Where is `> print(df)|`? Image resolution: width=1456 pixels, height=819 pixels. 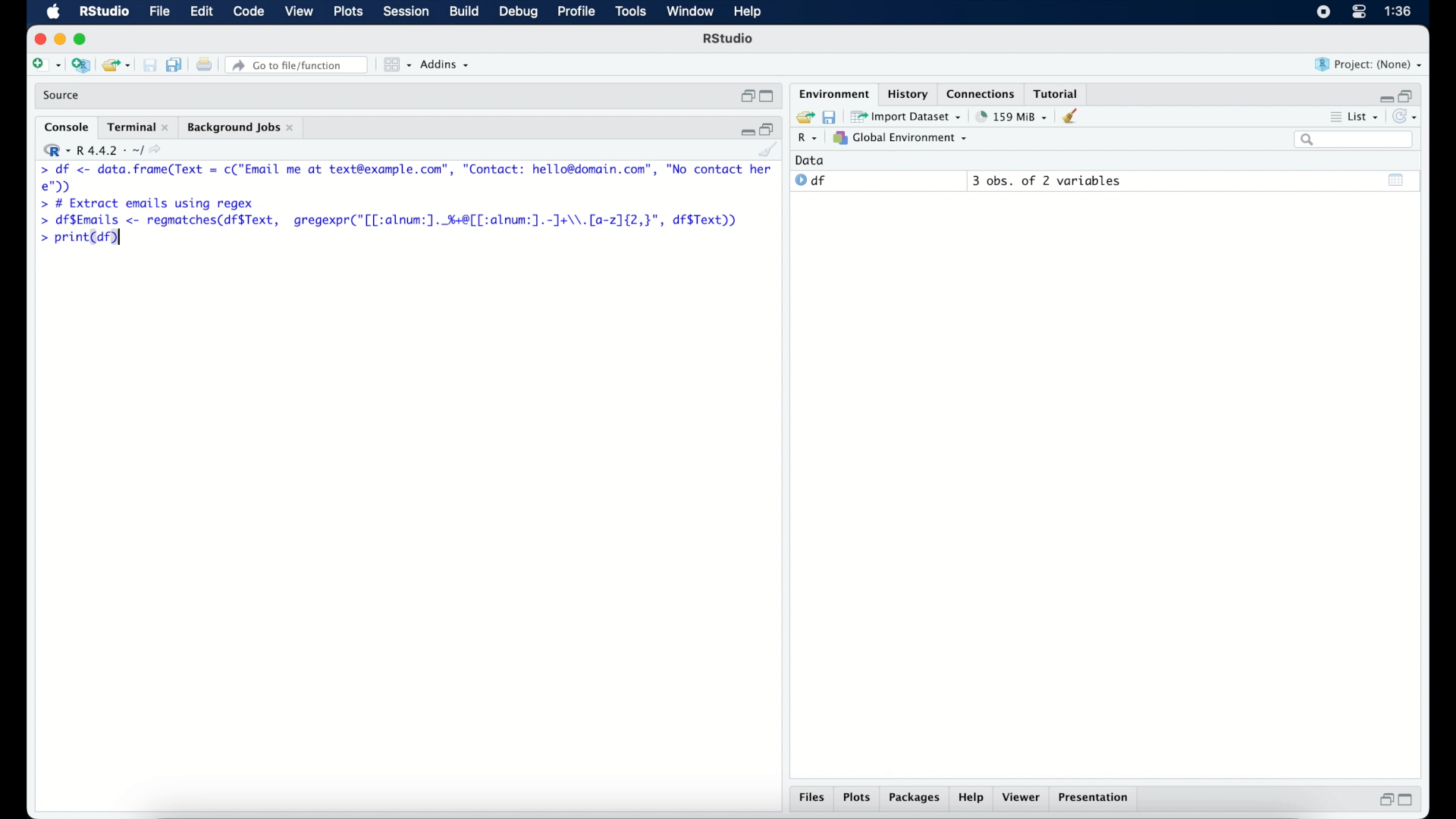
> print(df)| is located at coordinates (79, 240).